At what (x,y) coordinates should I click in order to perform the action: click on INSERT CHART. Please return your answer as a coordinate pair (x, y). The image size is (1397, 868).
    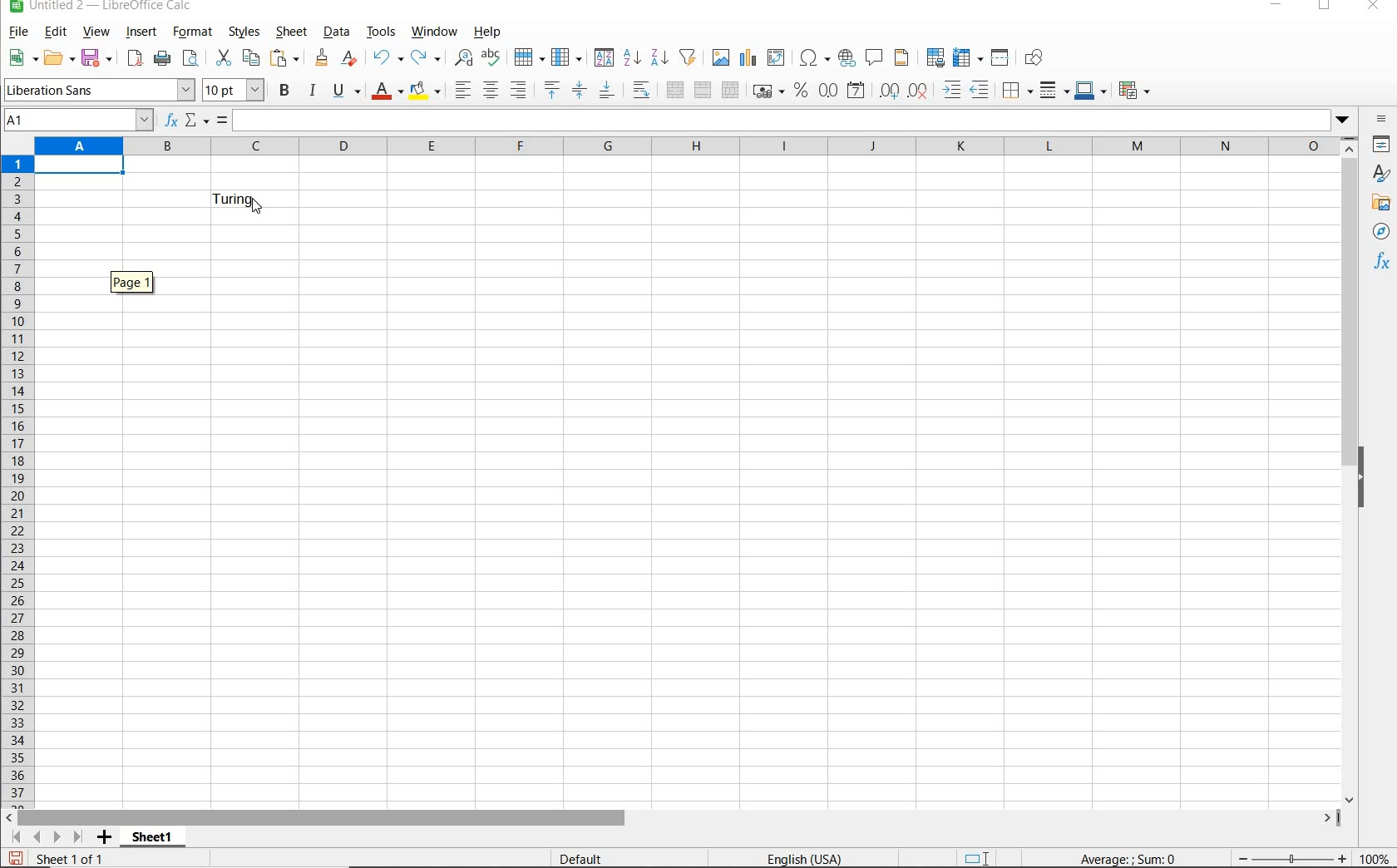
    Looking at the image, I should click on (748, 57).